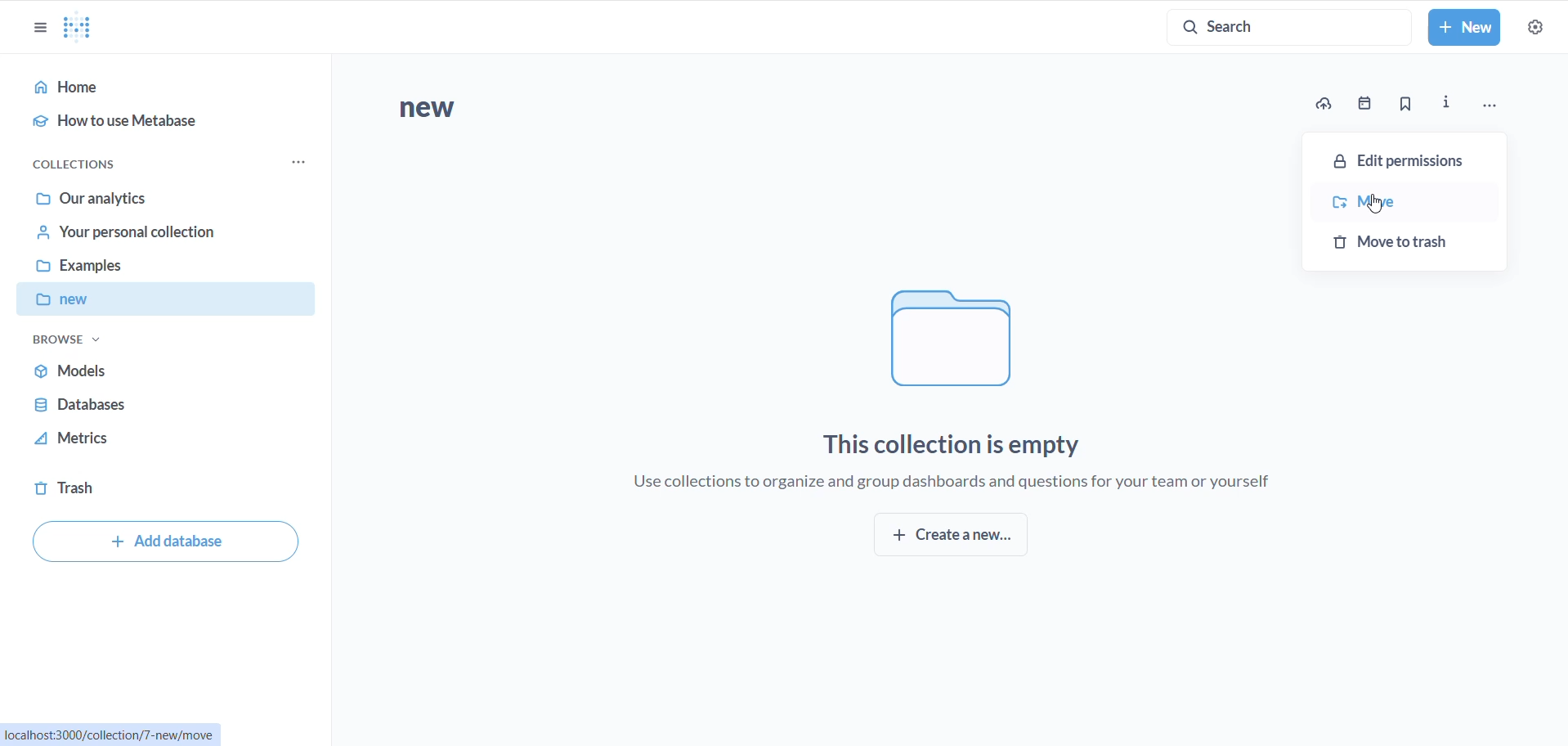 The height and width of the screenshot is (746, 1568). Describe the element at coordinates (1289, 26) in the screenshot. I see `SEARCH  BUTTON` at that location.